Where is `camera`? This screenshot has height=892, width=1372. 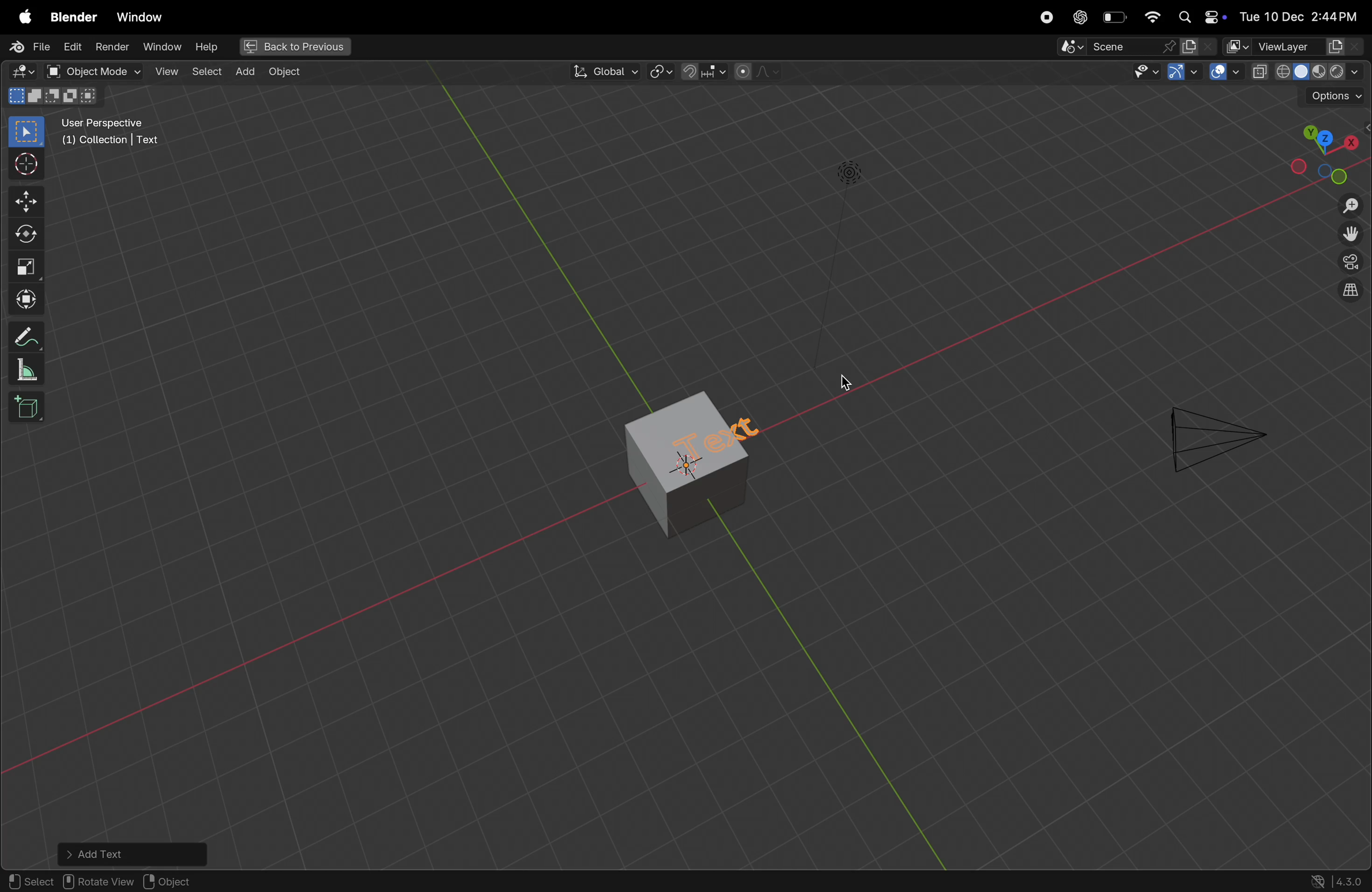
camera is located at coordinates (1213, 434).